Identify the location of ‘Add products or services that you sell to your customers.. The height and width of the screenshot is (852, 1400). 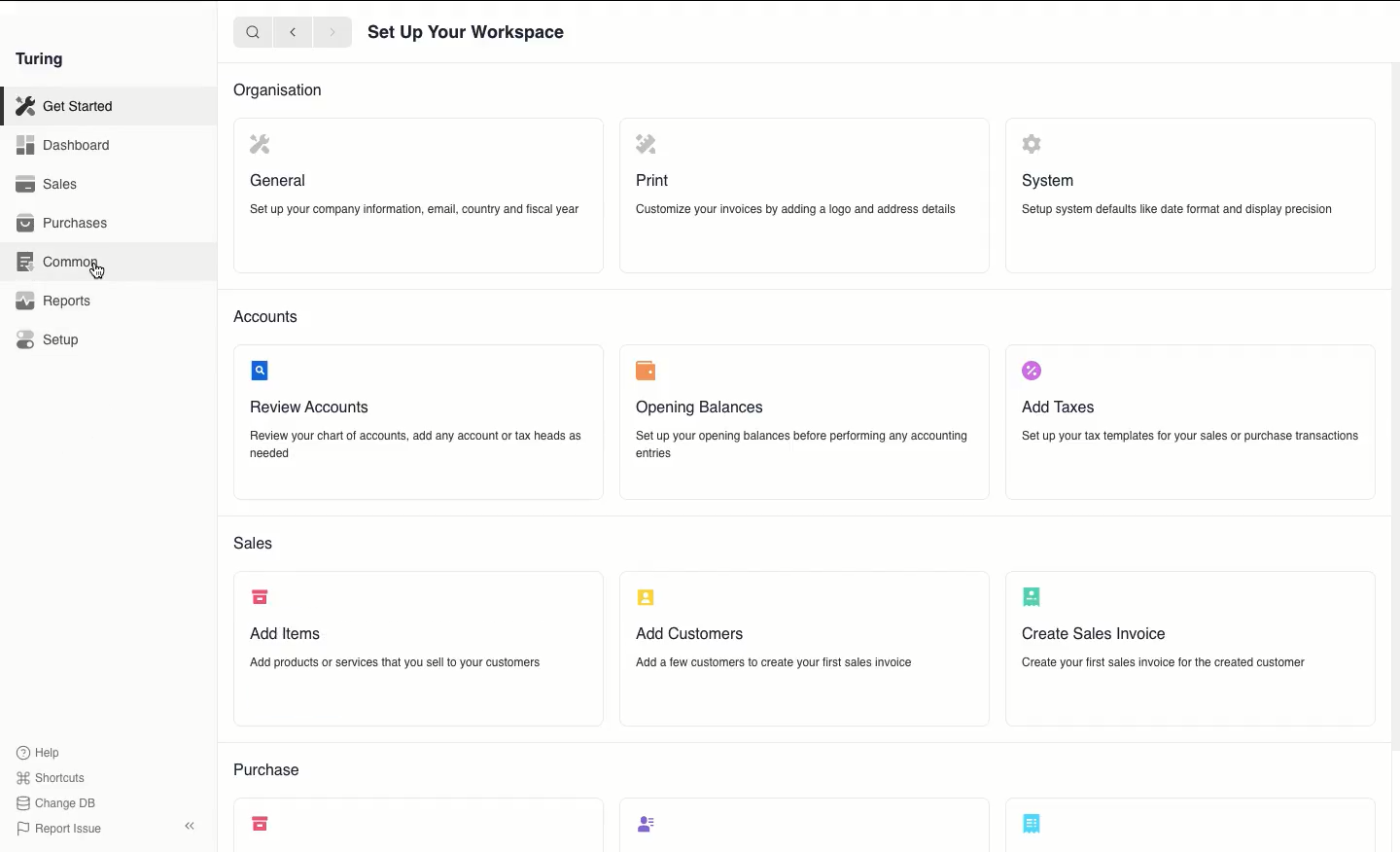
(396, 661).